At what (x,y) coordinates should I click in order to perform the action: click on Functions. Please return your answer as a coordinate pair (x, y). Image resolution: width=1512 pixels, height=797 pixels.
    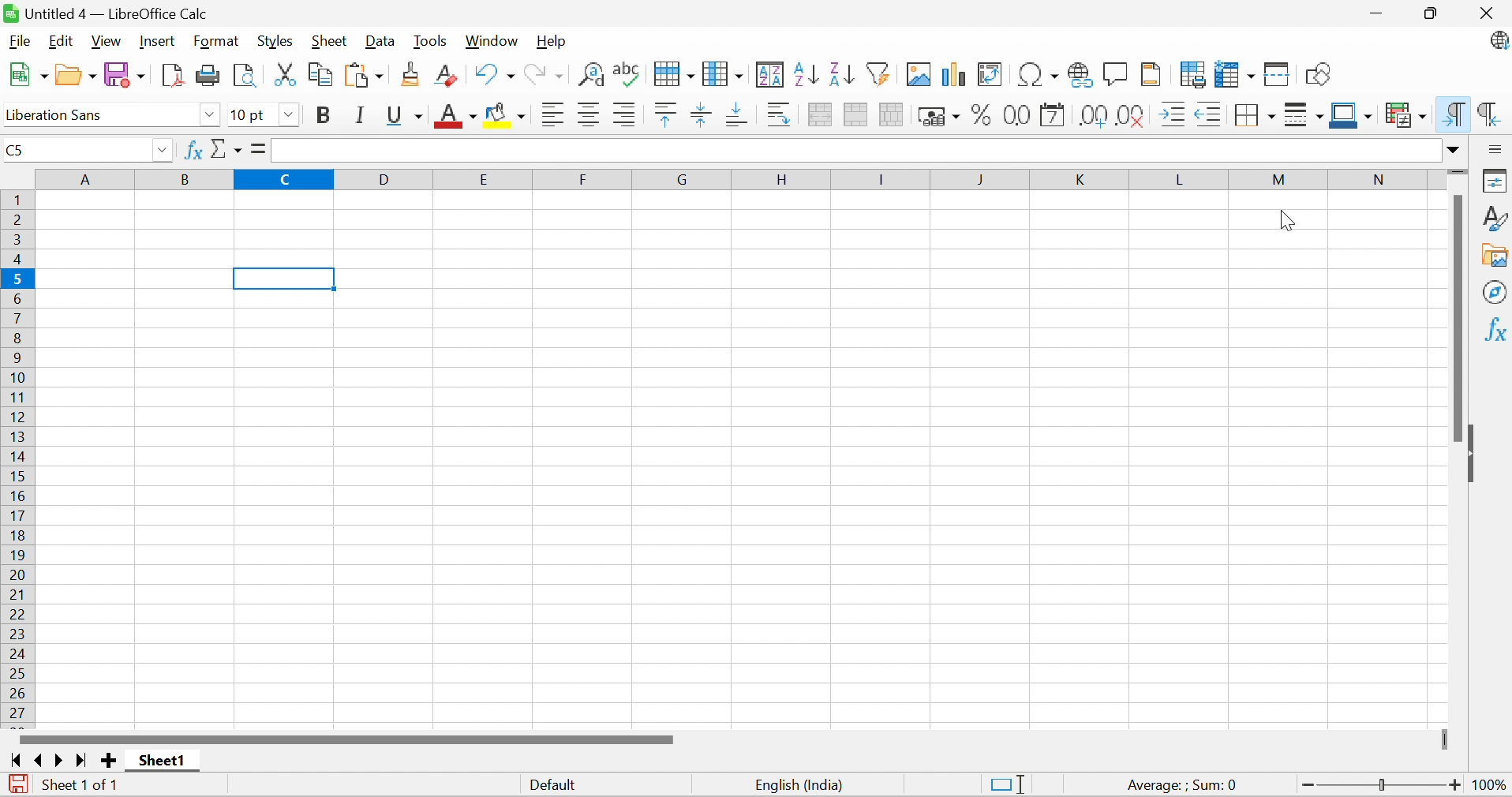
    Looking at the image, I should click on (1495, 328).